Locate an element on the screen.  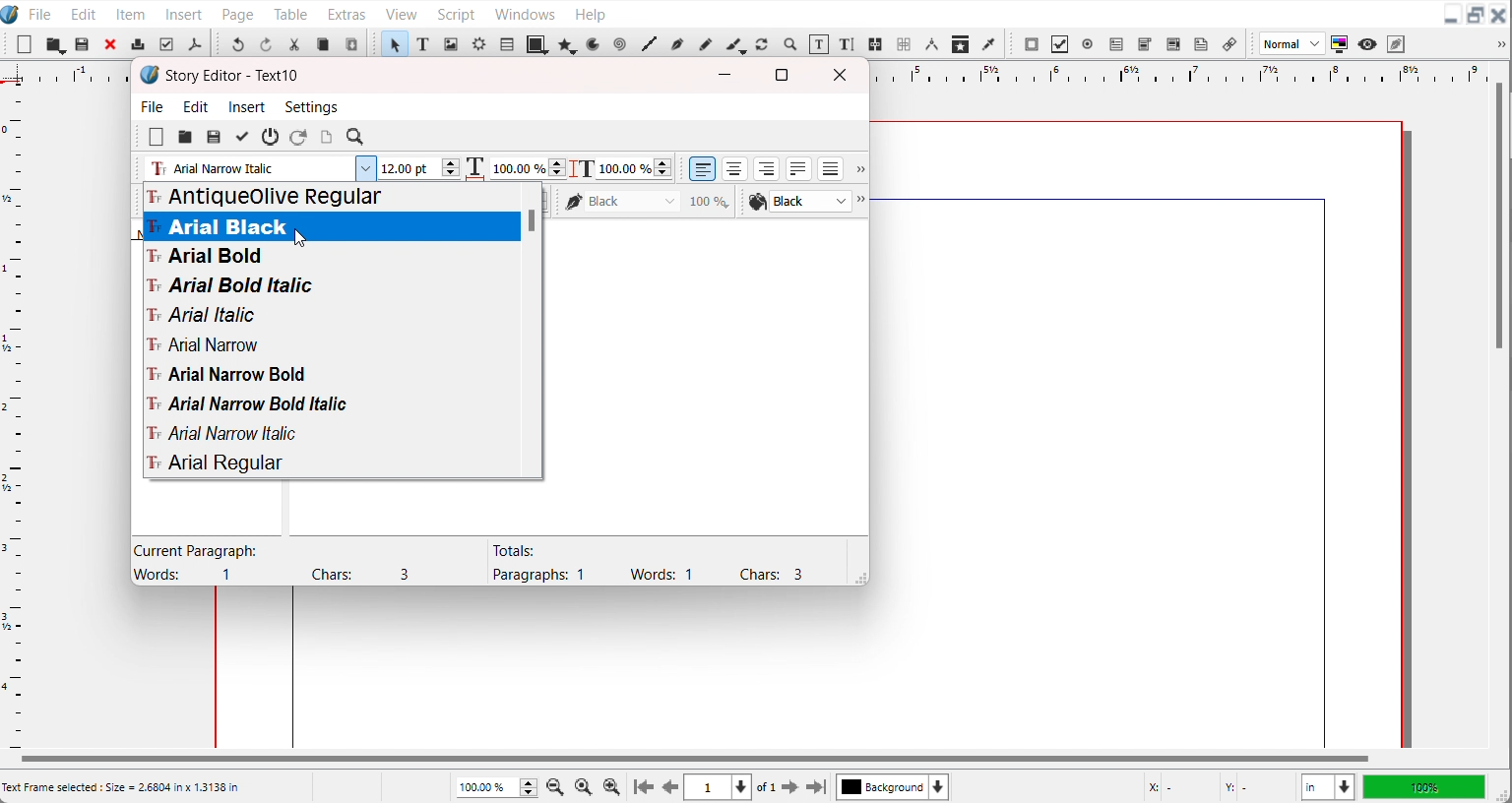
Render Frame is located at coordinates (478, 43).